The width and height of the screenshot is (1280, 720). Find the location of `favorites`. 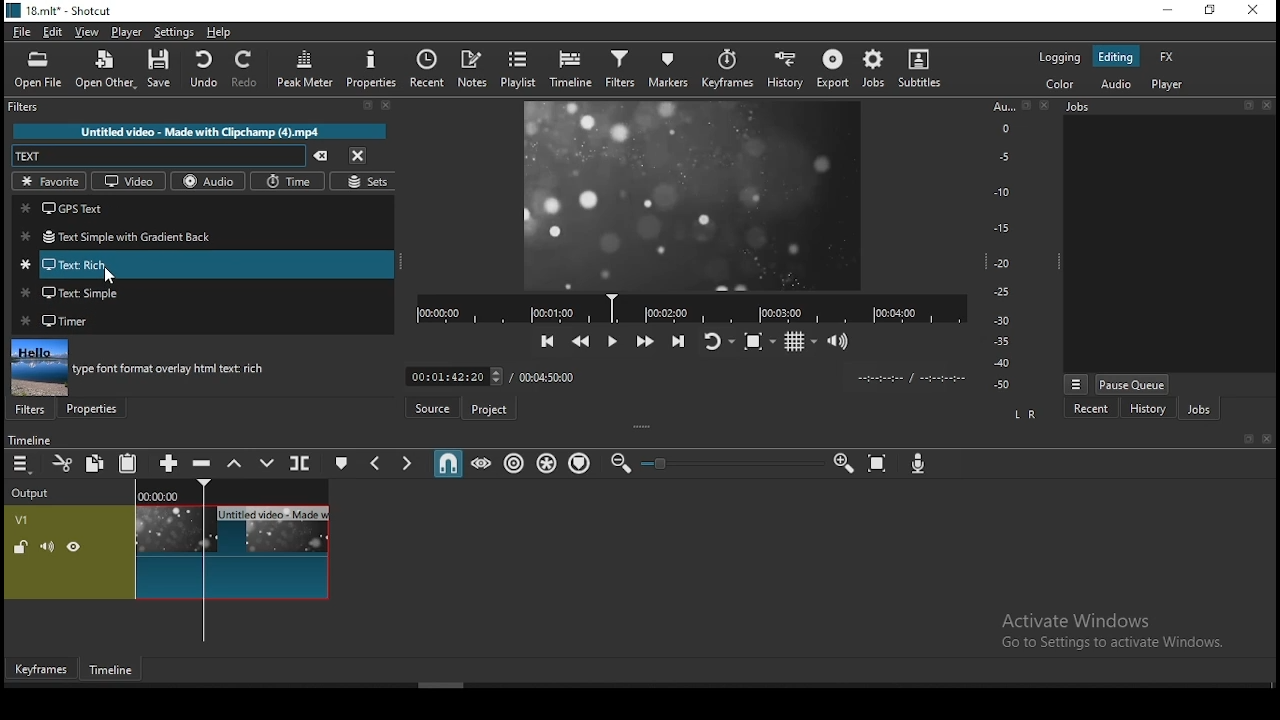

favorites is located at coordinates (48, 182).